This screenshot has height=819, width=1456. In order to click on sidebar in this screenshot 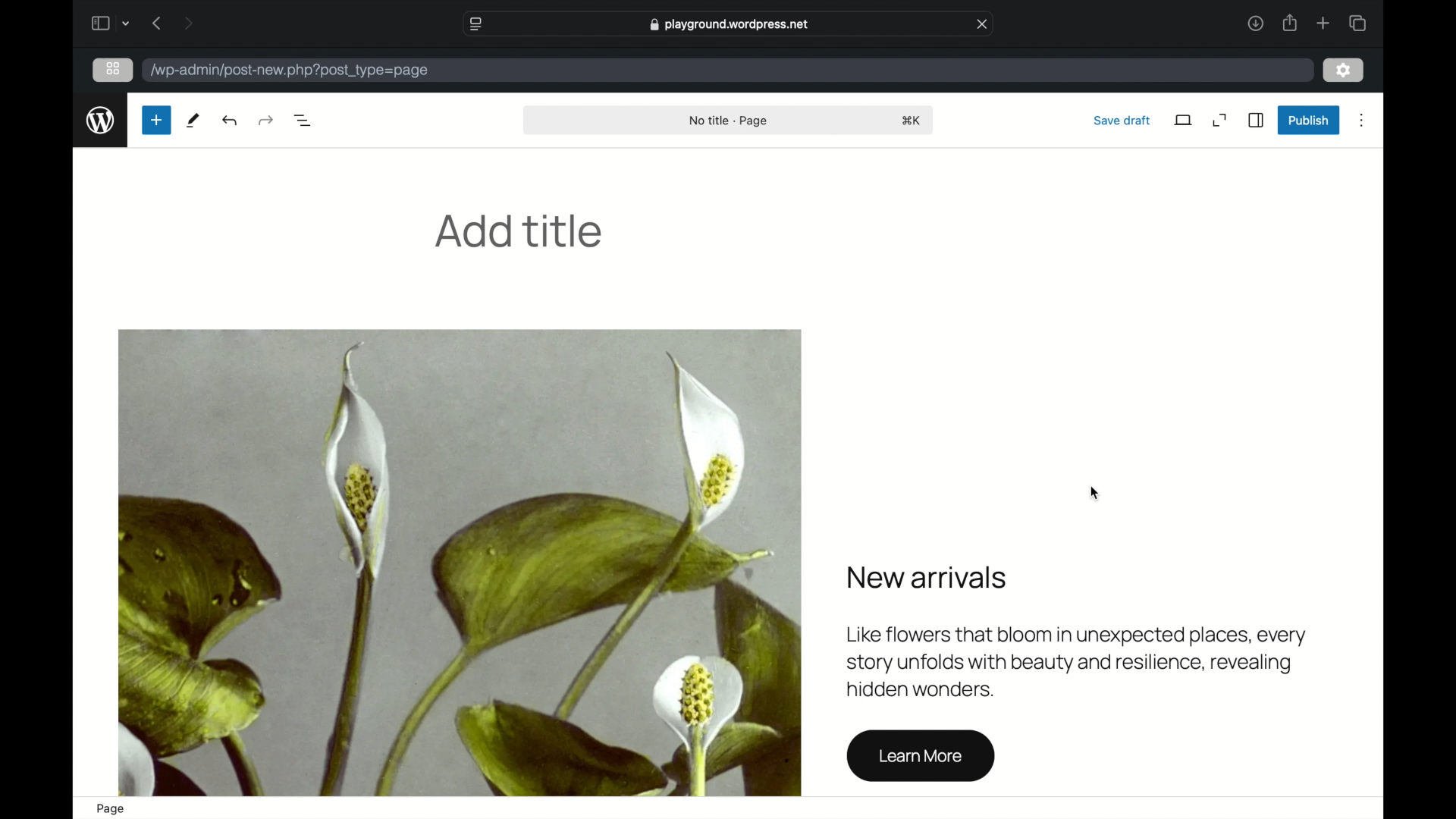, I will do `click(1257, 120)`.